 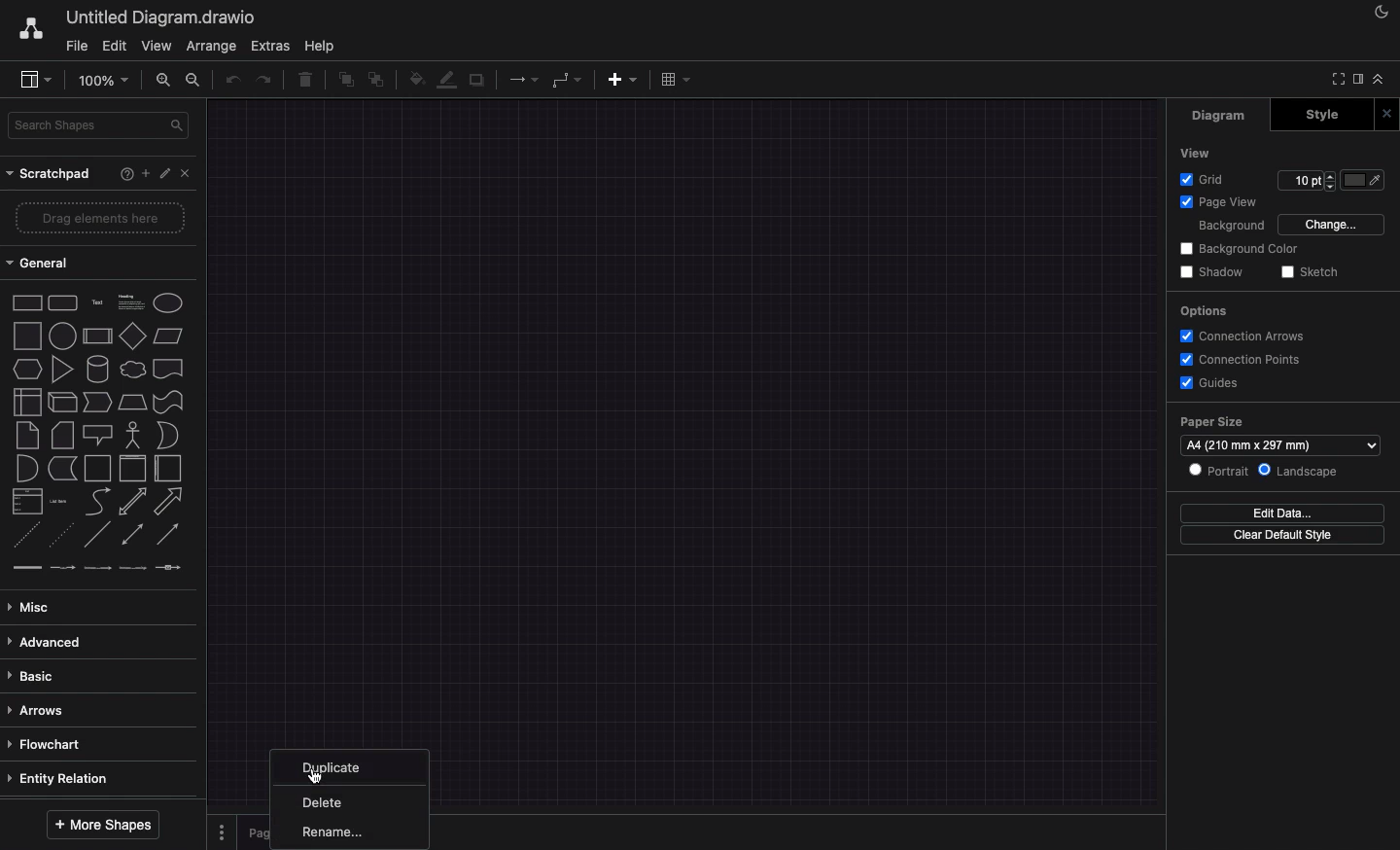 What do you see at coordinates (1216, 472) in the screenshot?
I see `portrait` at bounding box center [1216, 472].